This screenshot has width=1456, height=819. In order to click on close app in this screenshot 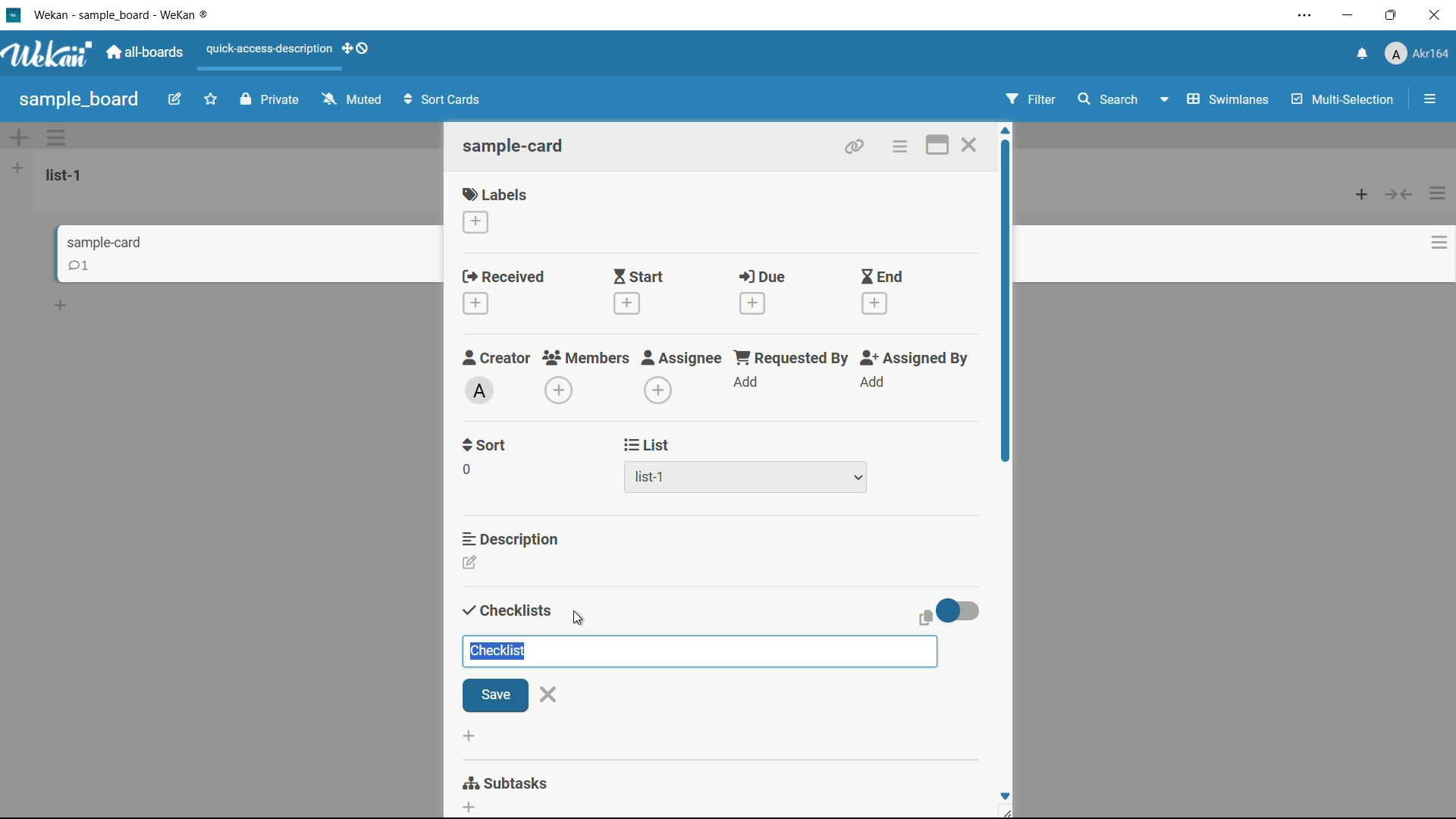, I will do `click(1438, 16)`.